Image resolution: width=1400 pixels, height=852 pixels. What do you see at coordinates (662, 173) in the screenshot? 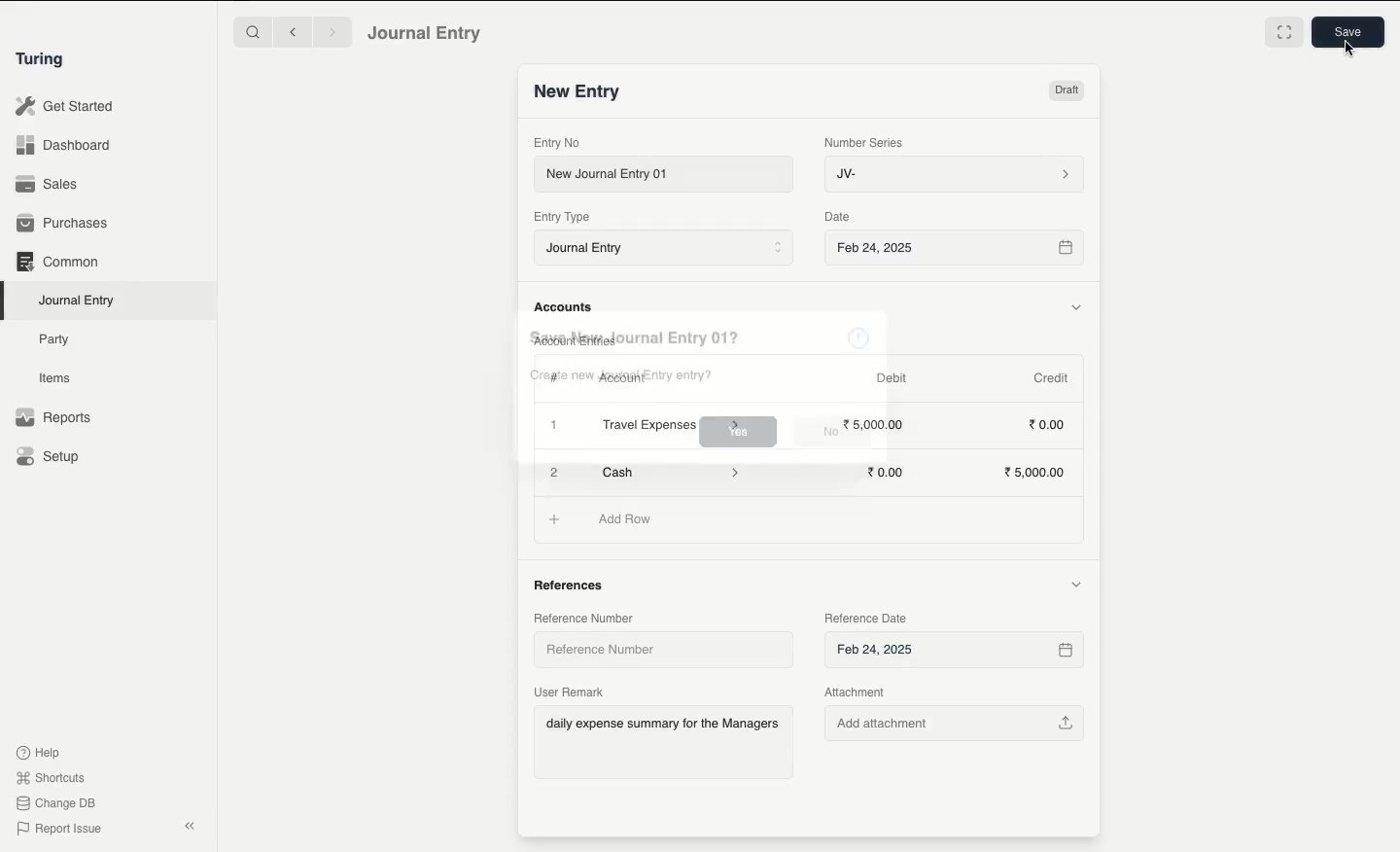
I see `New Journal Entry 01` at bounding box center [662, 173].